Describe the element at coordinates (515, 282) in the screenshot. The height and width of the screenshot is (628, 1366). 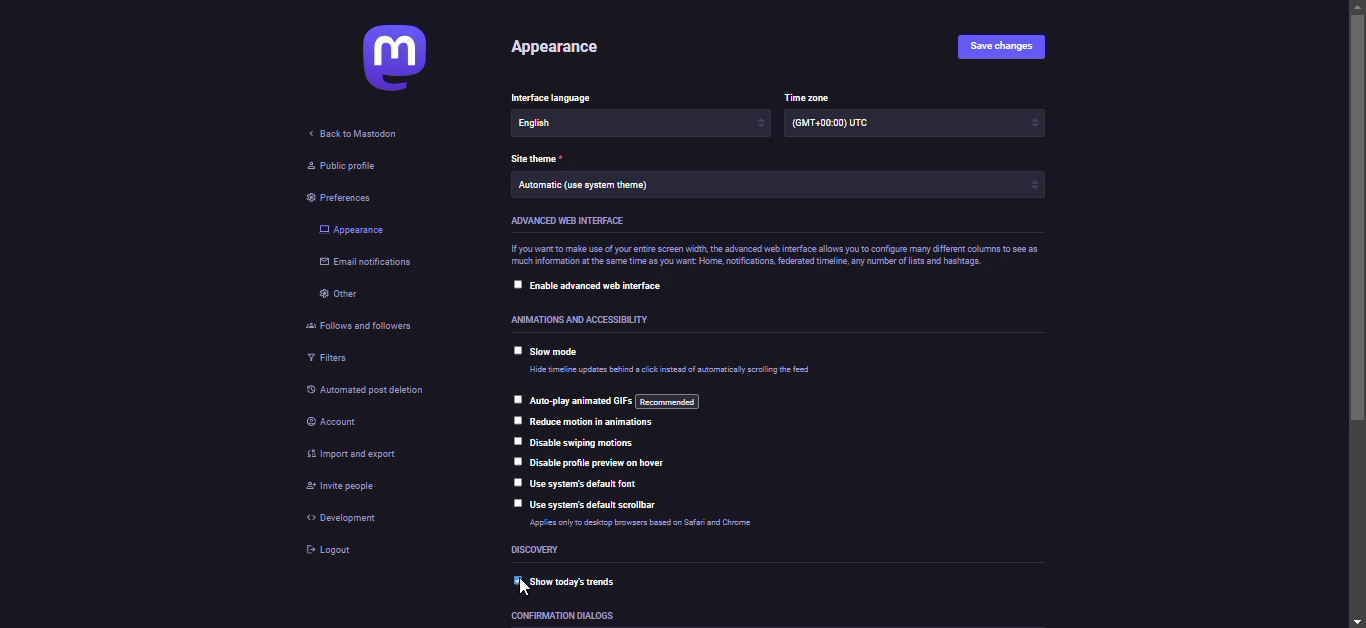
I see `click to select` at that location.